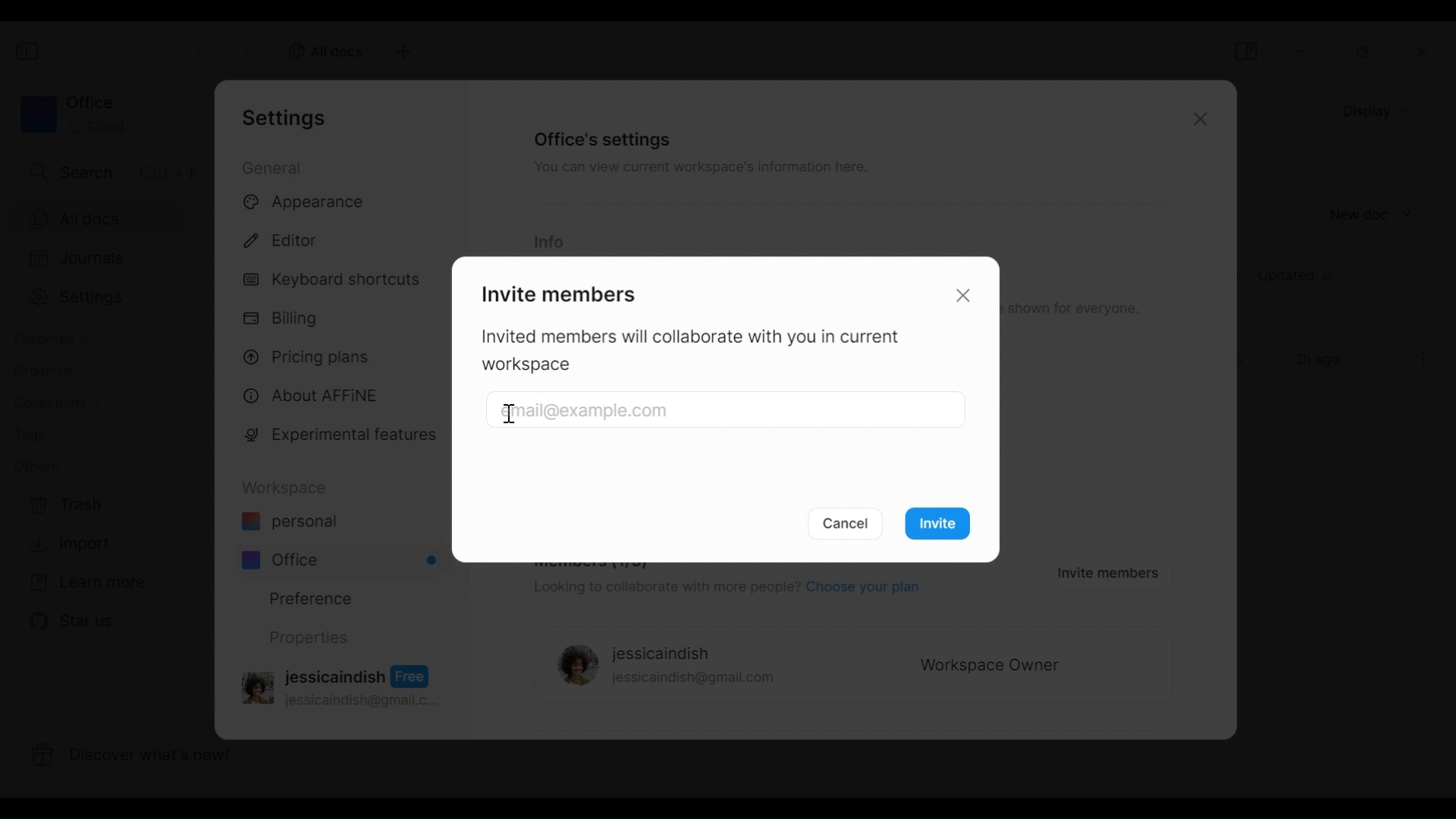  What do you see at coordinates (573, 667) in the screenshot?
I see `Profile` at bounding box center [573, 667].